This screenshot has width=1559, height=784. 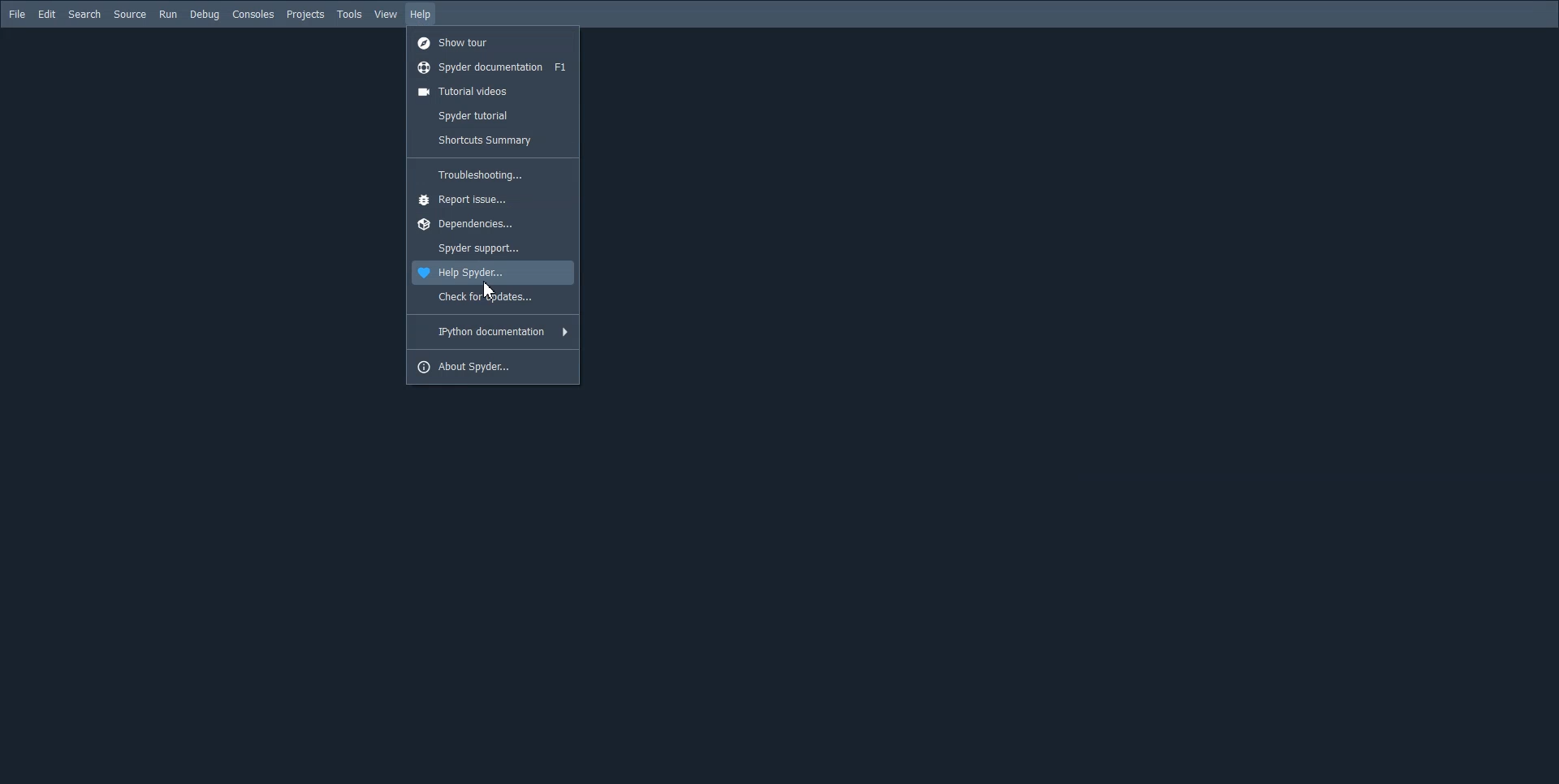 What do you see at coordinates (493, 367) in the screenshot?
I see `About spyder` at bounding box center [493, 367].